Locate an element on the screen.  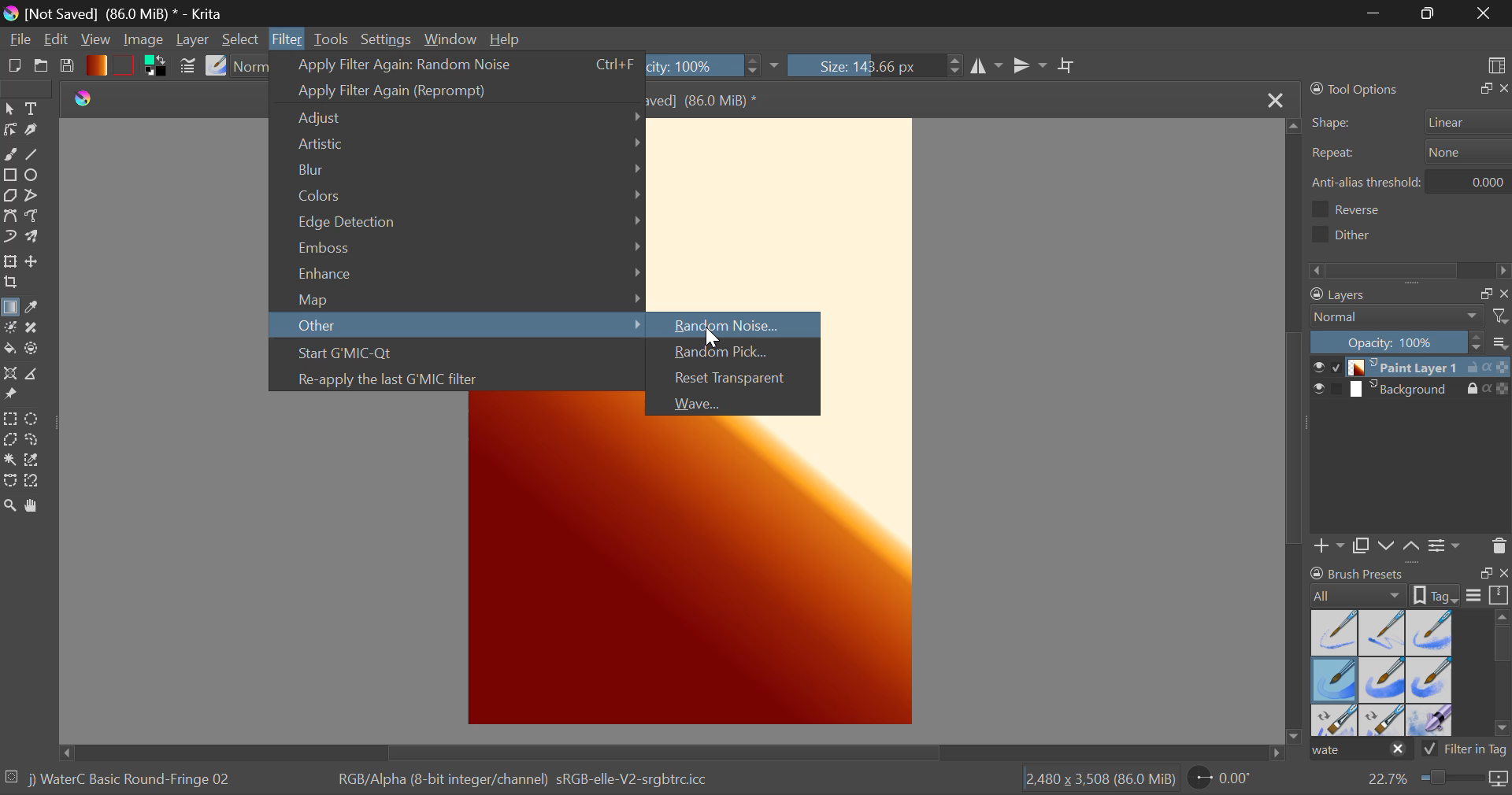
Random Pick is located at coordinates (737, 353).